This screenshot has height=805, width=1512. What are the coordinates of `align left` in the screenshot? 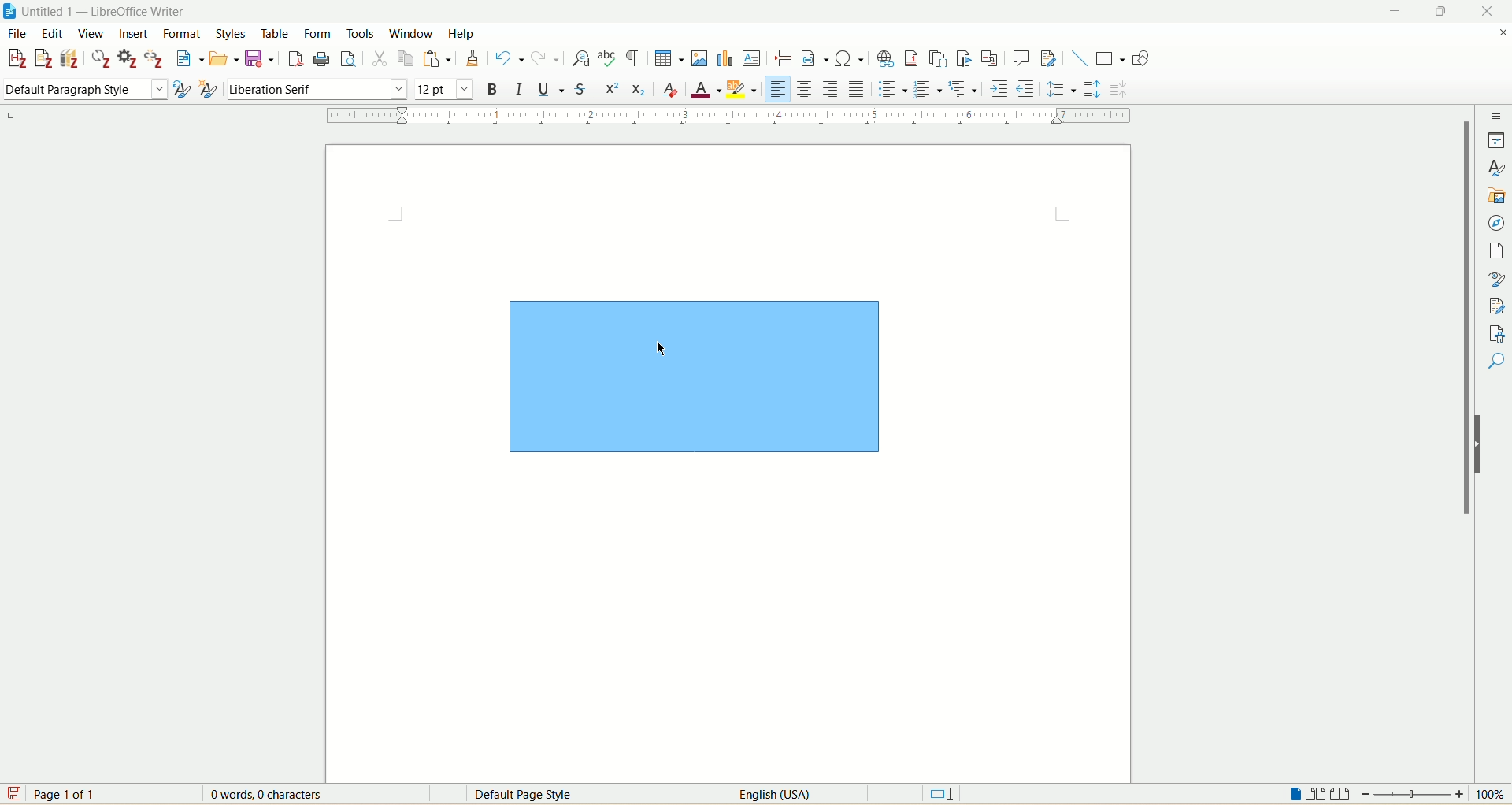 It's located at (776, 87).